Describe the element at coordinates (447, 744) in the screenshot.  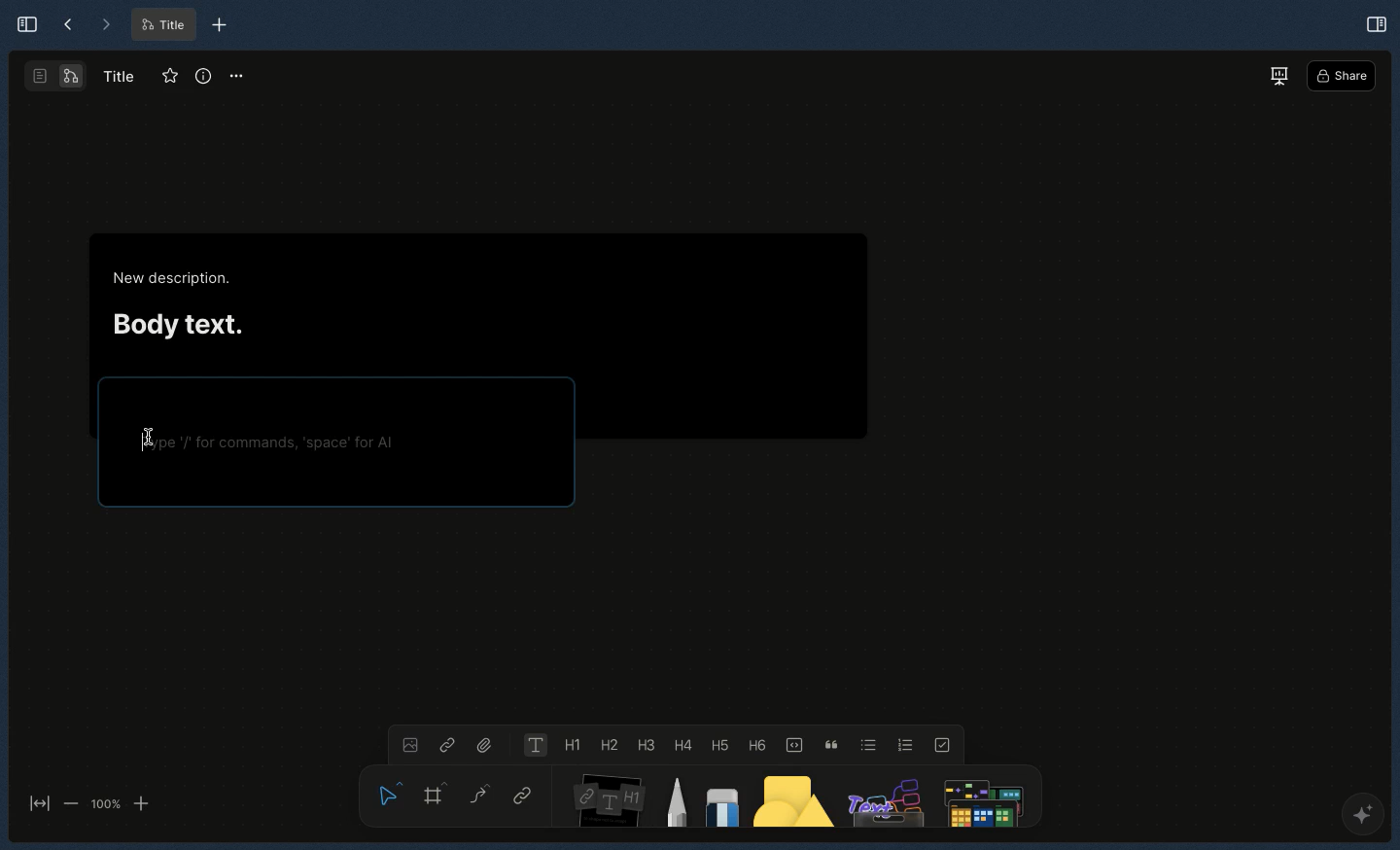
I see `Link` at that location.